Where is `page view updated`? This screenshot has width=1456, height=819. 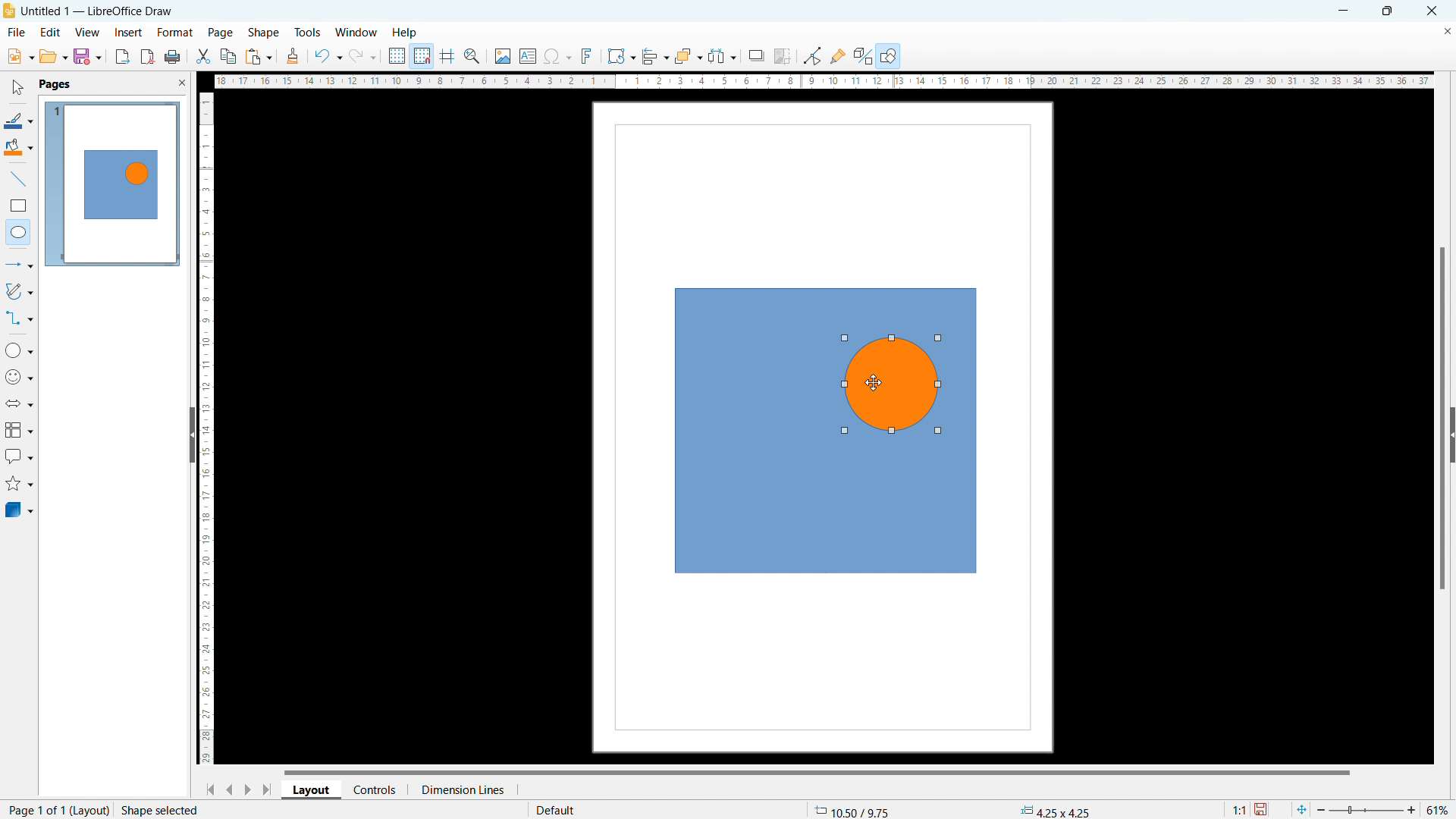 page view updated is located at coordinates (111, 184).